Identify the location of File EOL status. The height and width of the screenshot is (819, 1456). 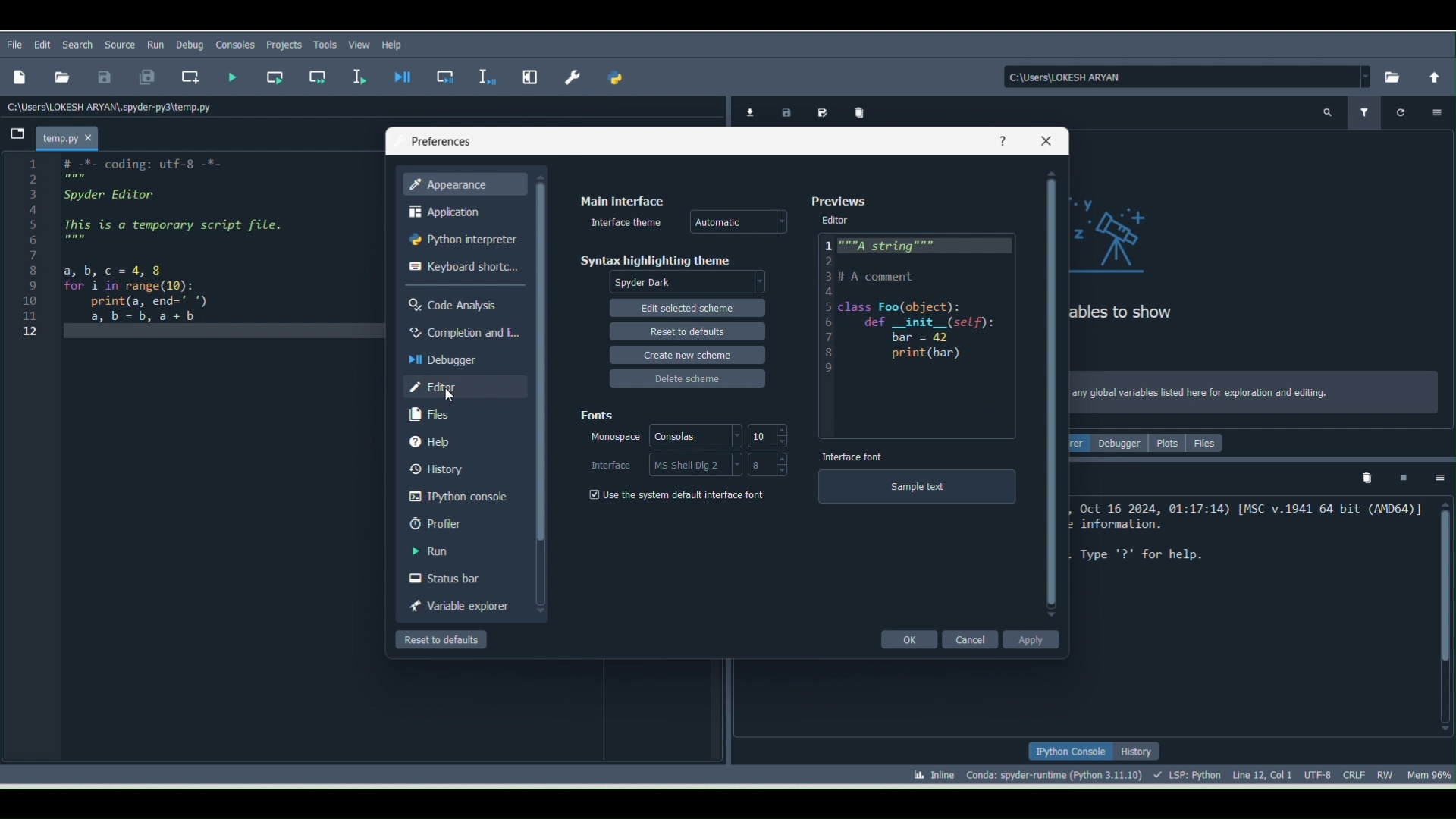
(1357, 774).